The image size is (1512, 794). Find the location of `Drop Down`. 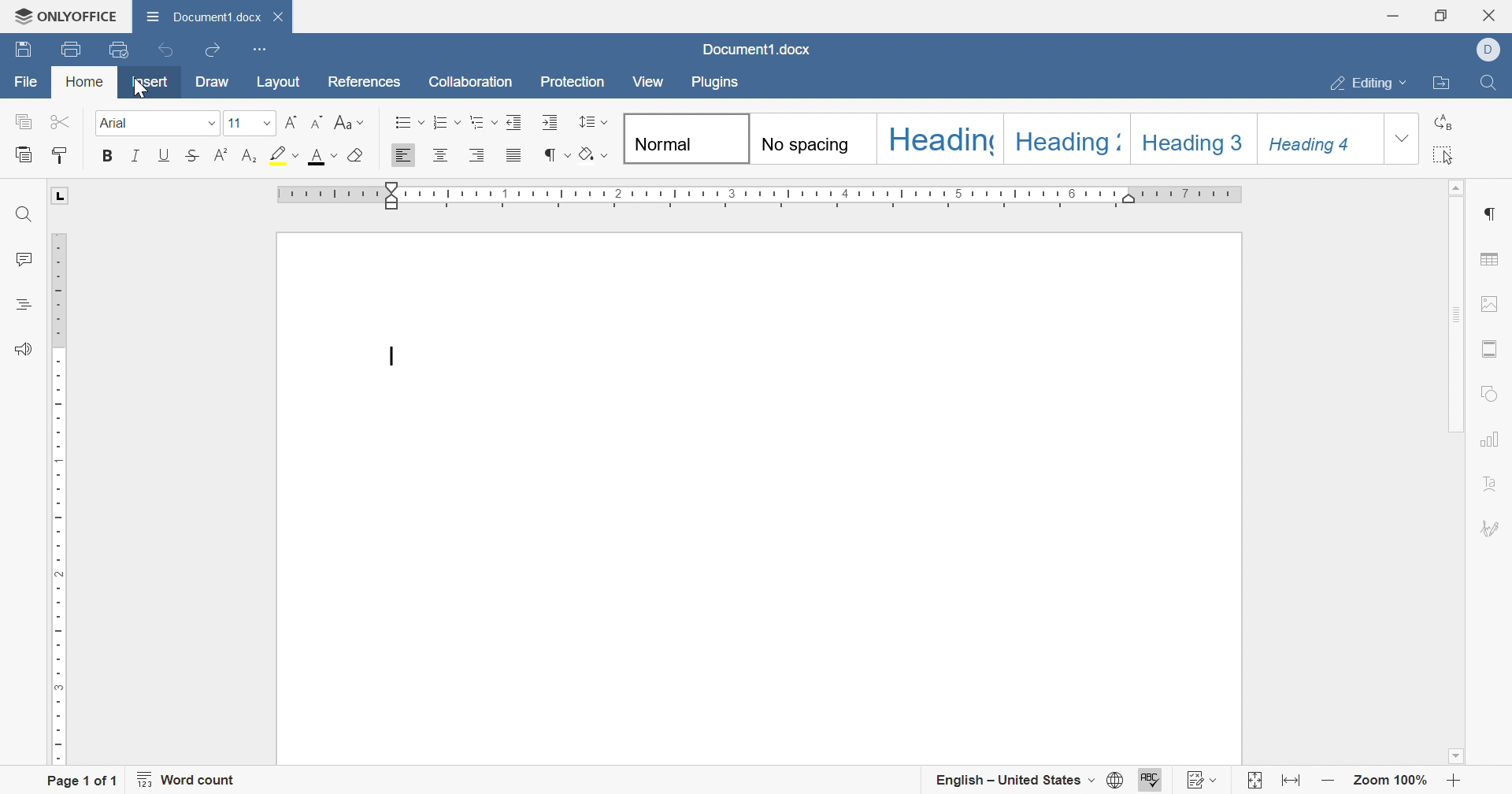

Drop Down is located at coordinates (1399, 141).